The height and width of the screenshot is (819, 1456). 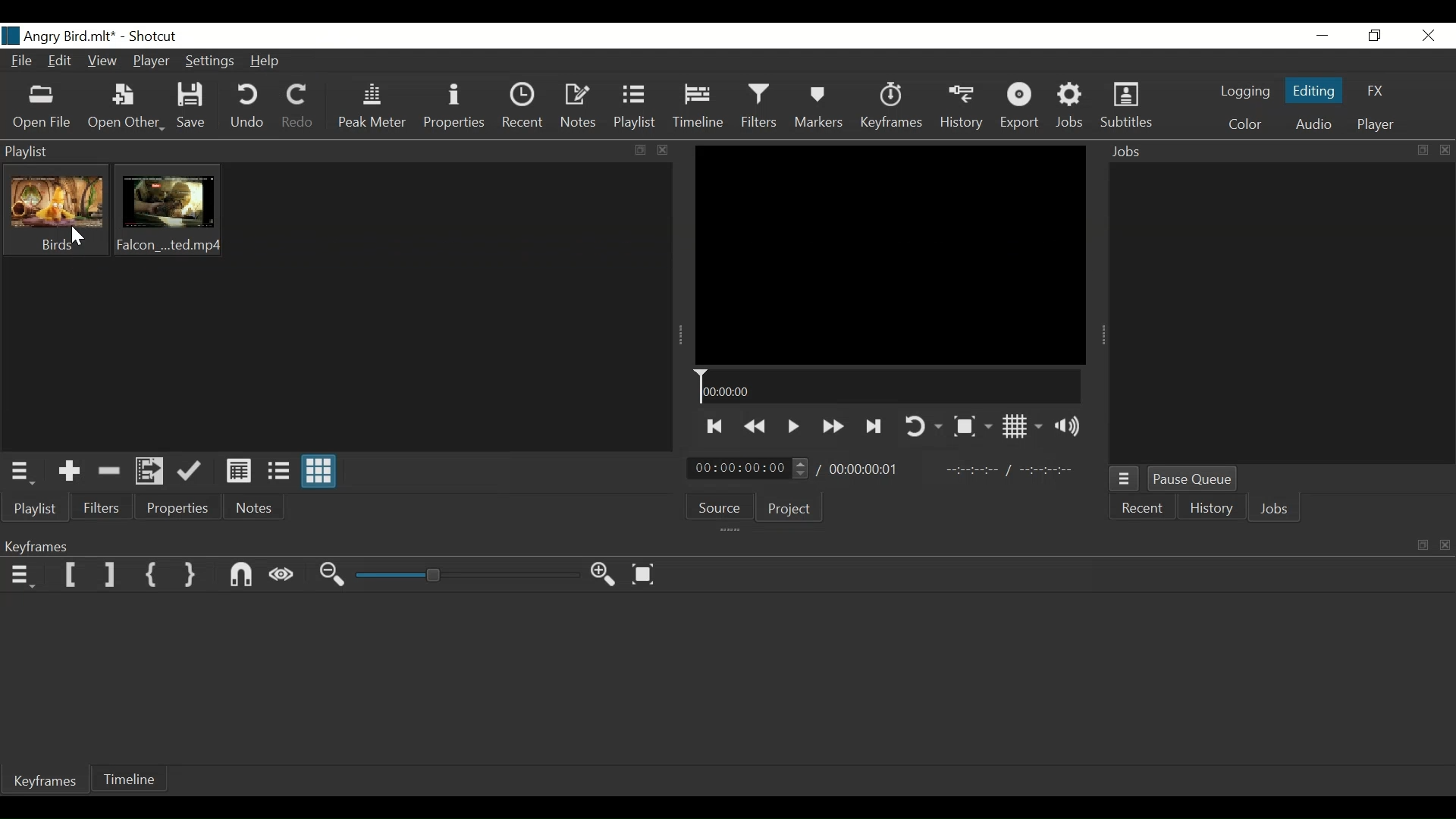 I want to click on Skip to the next point, so click(x=876, y=426).